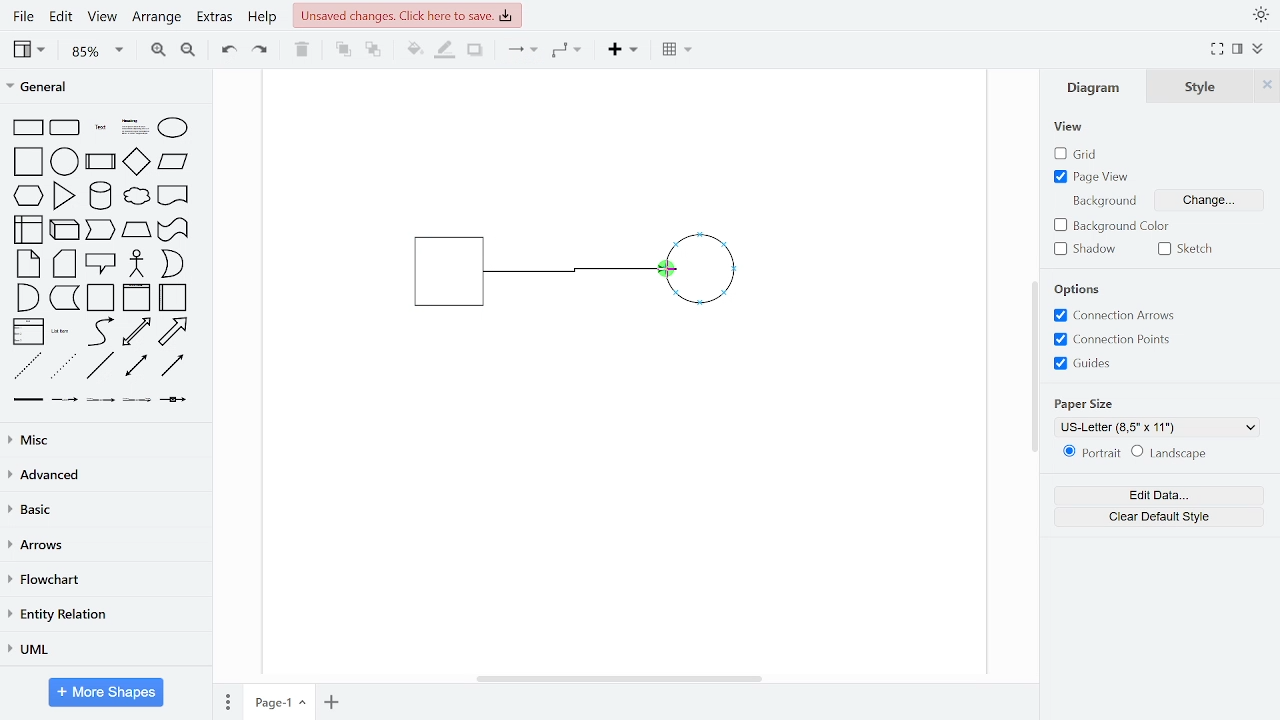 Image resolution: width=1280 pixels, height=720 pixels. What do you see at coordinates (261, 49) in the screenshot?
I see `redo` at bounding box center [261, 49].